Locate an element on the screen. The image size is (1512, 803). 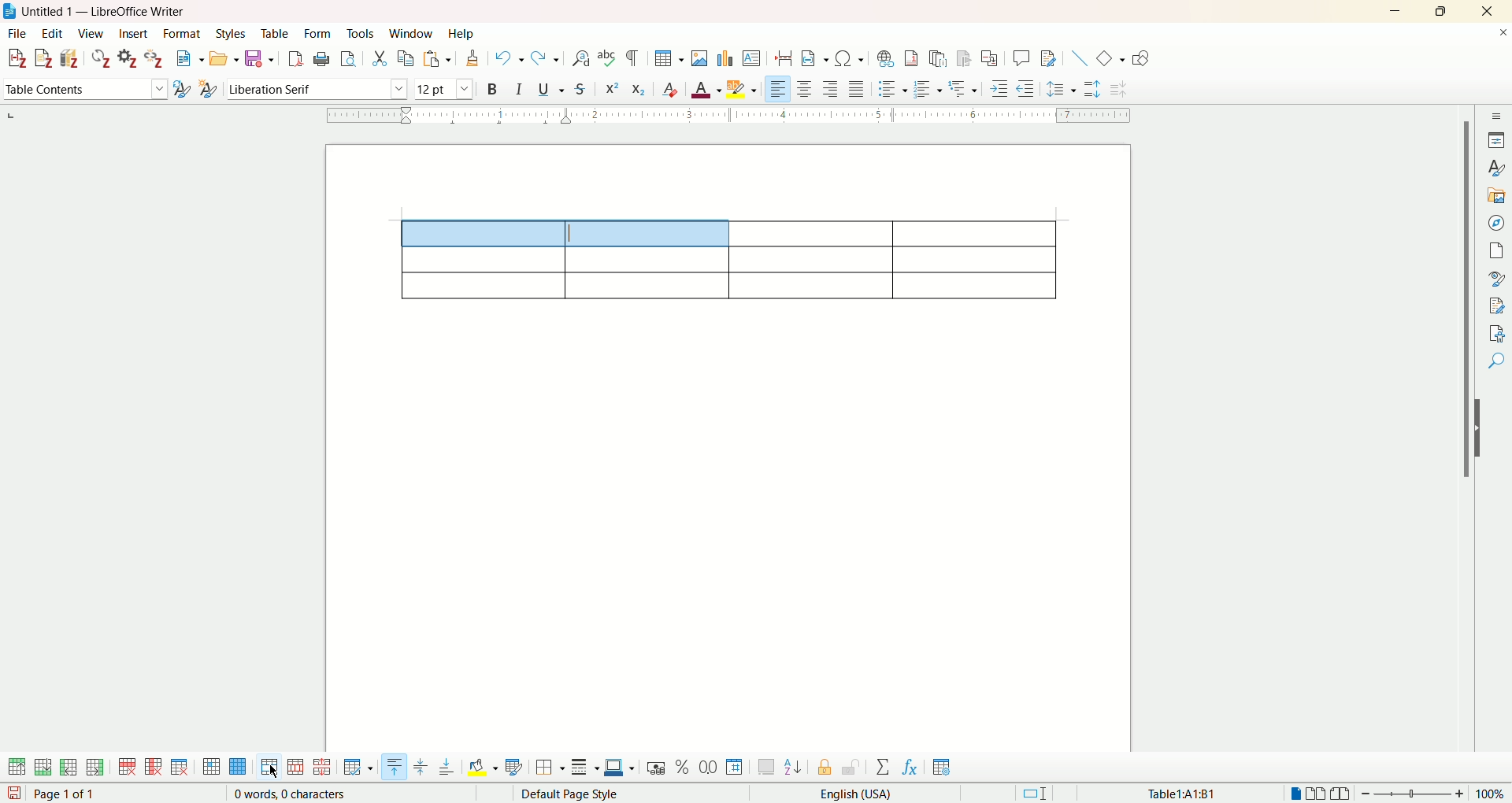
align left is located at coordinates (776, 88).